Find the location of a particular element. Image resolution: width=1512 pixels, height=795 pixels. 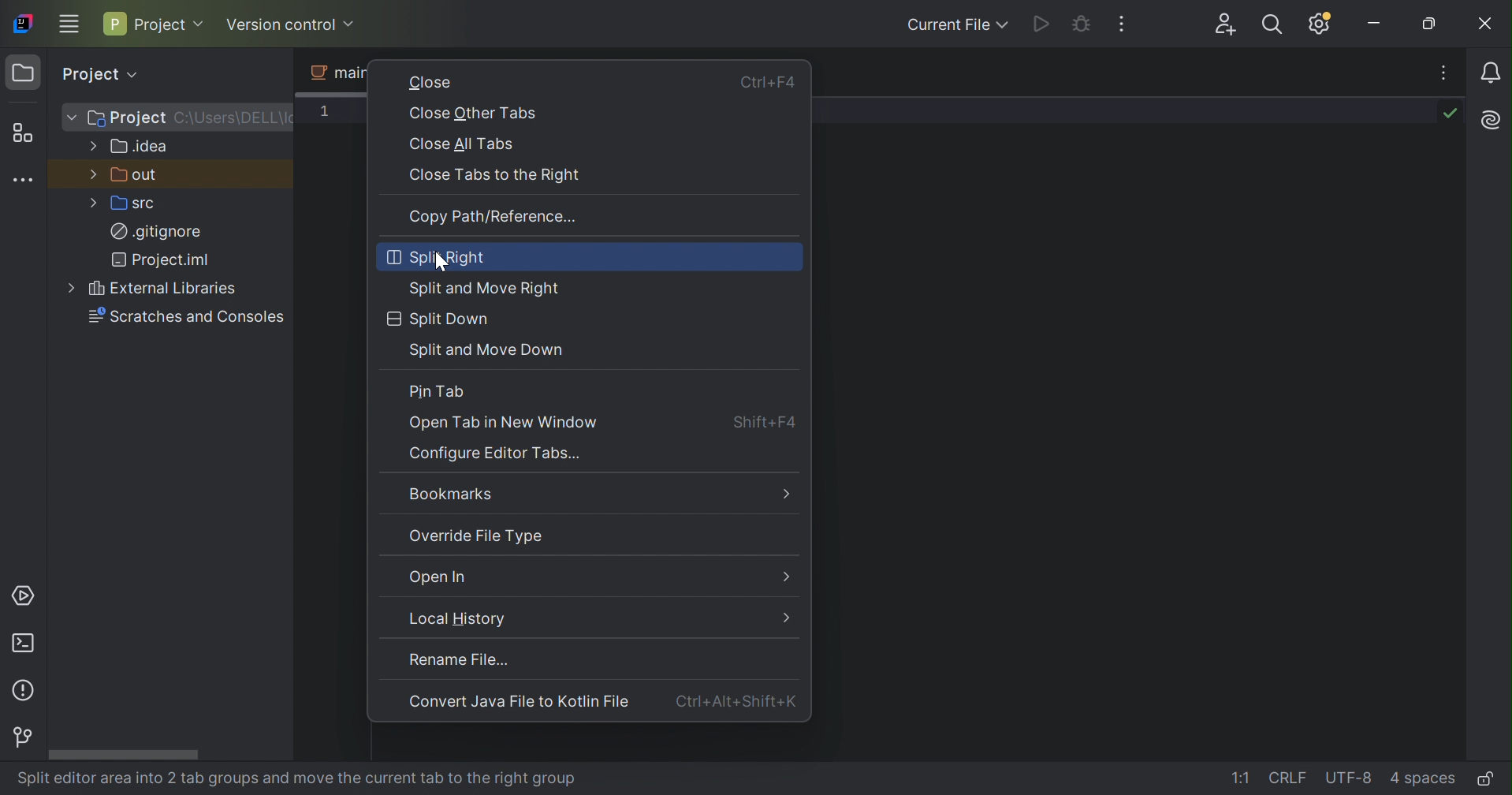

src is located at coordinates (134, 202).